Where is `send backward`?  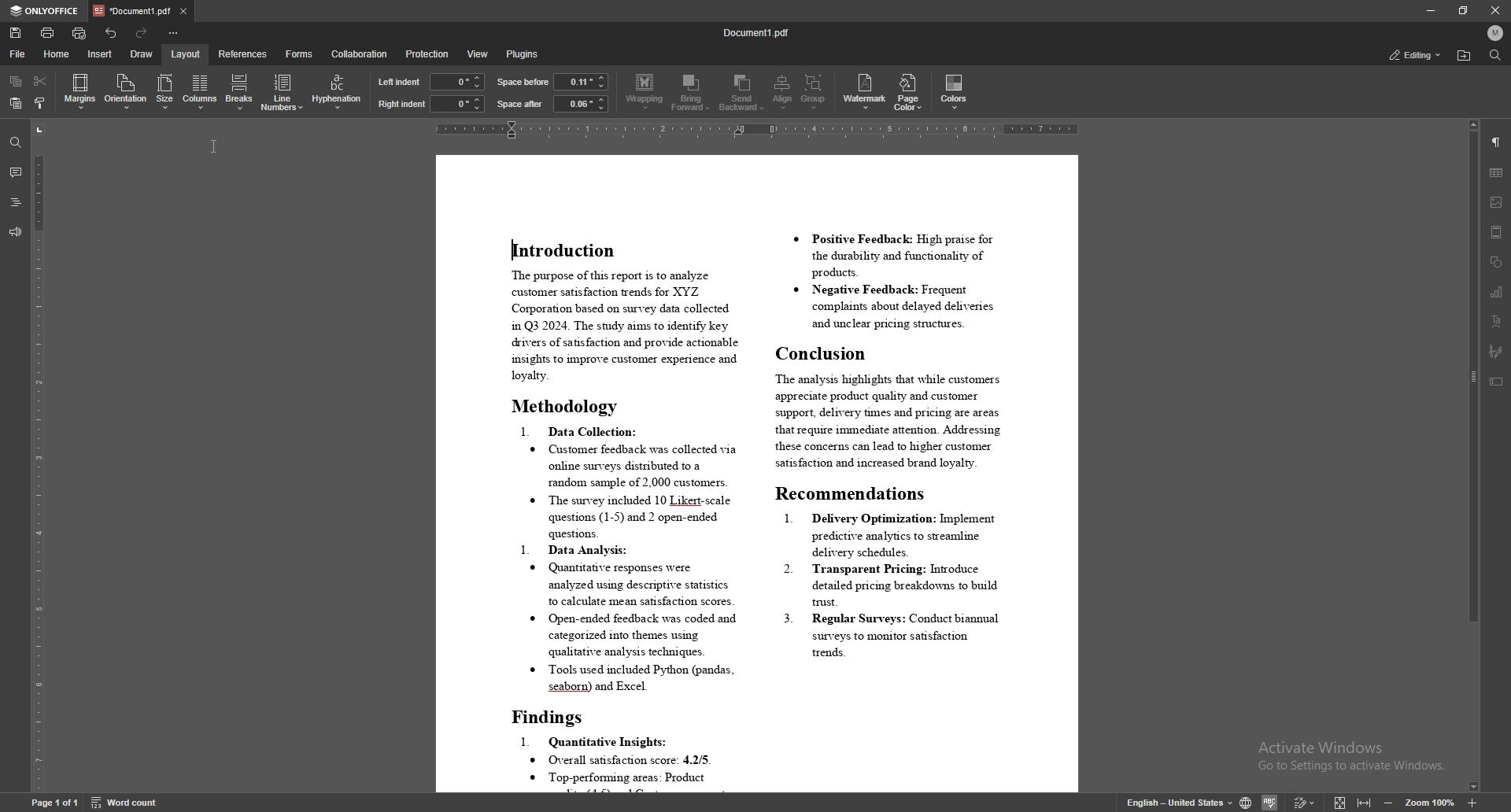
send backward is located at coordinates (742, 93).